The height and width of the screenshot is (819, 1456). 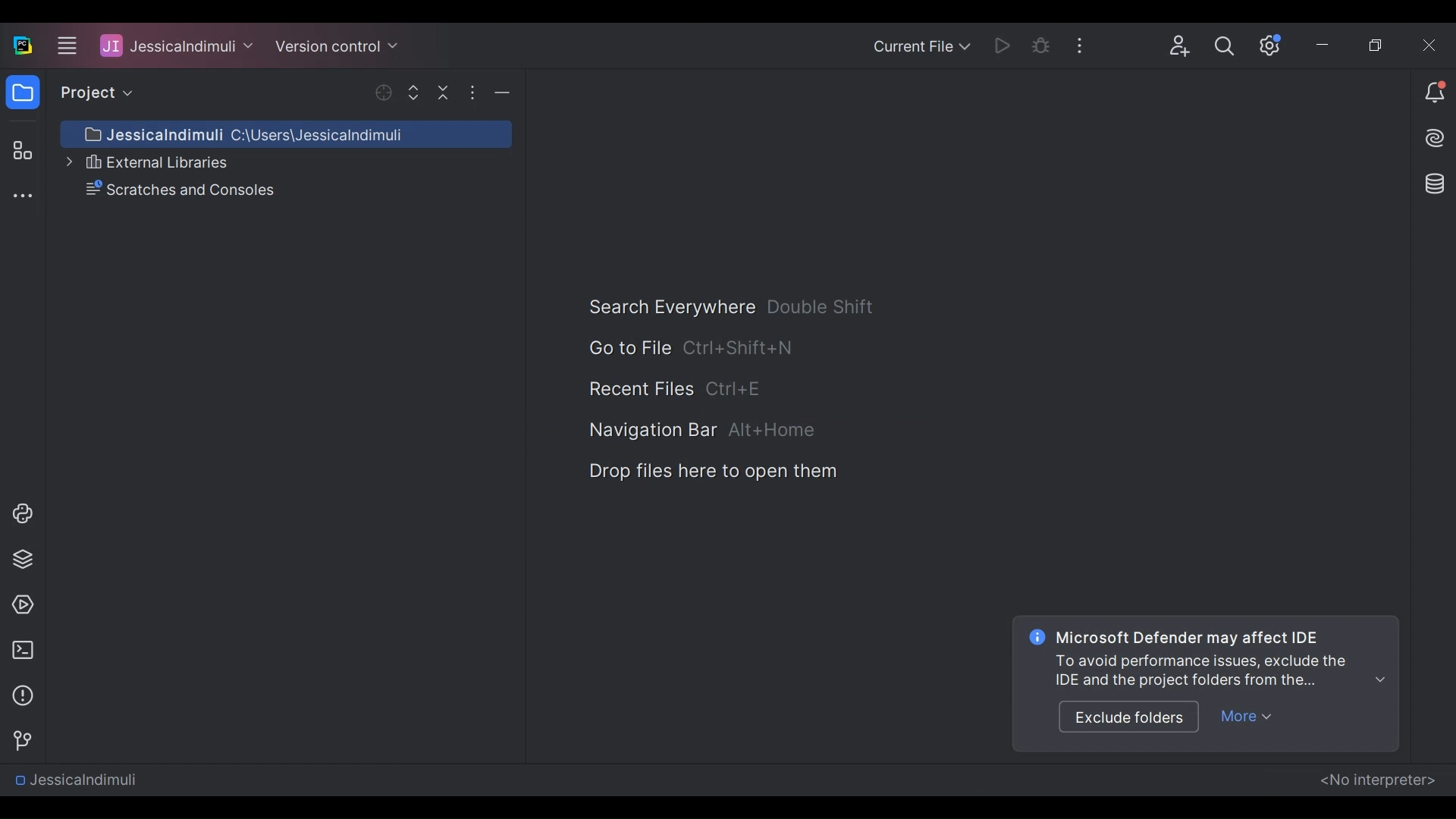 What do you see at coordinates (22, 606) in the screenshot?
I see `Services` at bounding box center [22, 606].